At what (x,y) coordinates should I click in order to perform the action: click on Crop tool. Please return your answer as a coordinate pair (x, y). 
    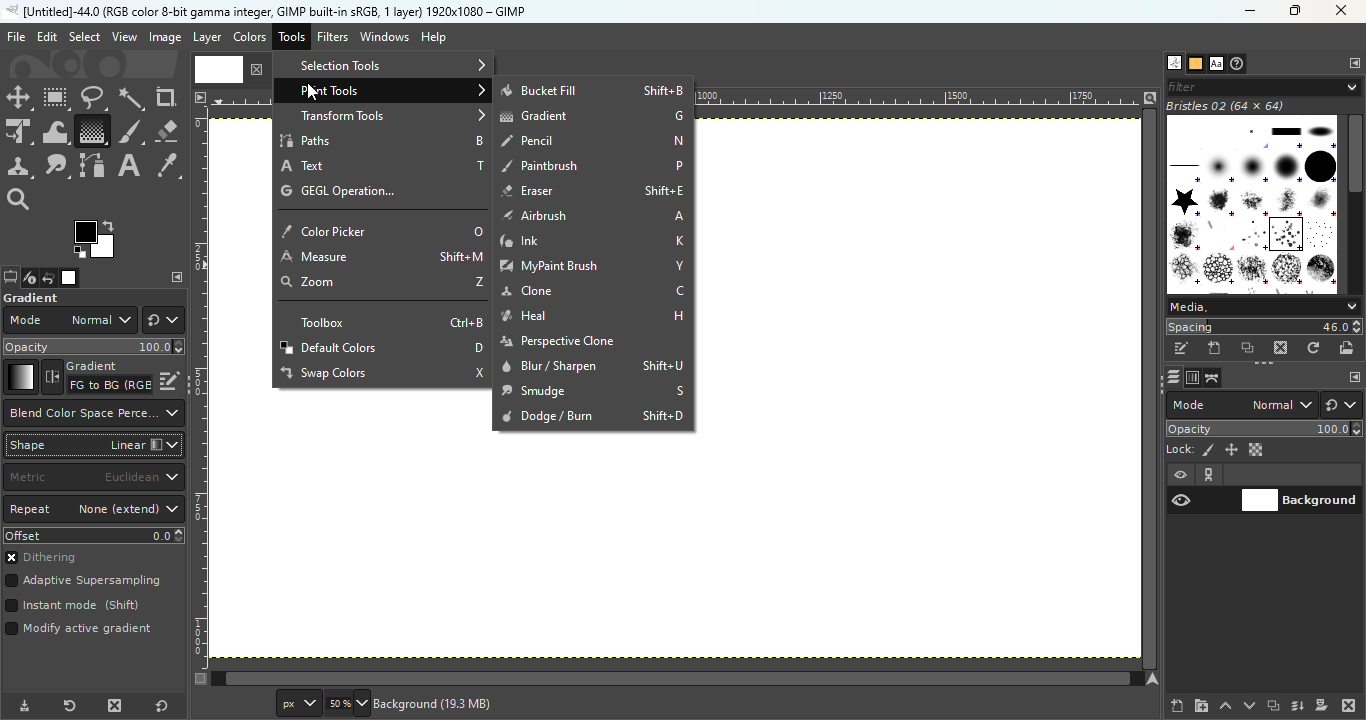
    Looking at the image, I should click on (166, 97).